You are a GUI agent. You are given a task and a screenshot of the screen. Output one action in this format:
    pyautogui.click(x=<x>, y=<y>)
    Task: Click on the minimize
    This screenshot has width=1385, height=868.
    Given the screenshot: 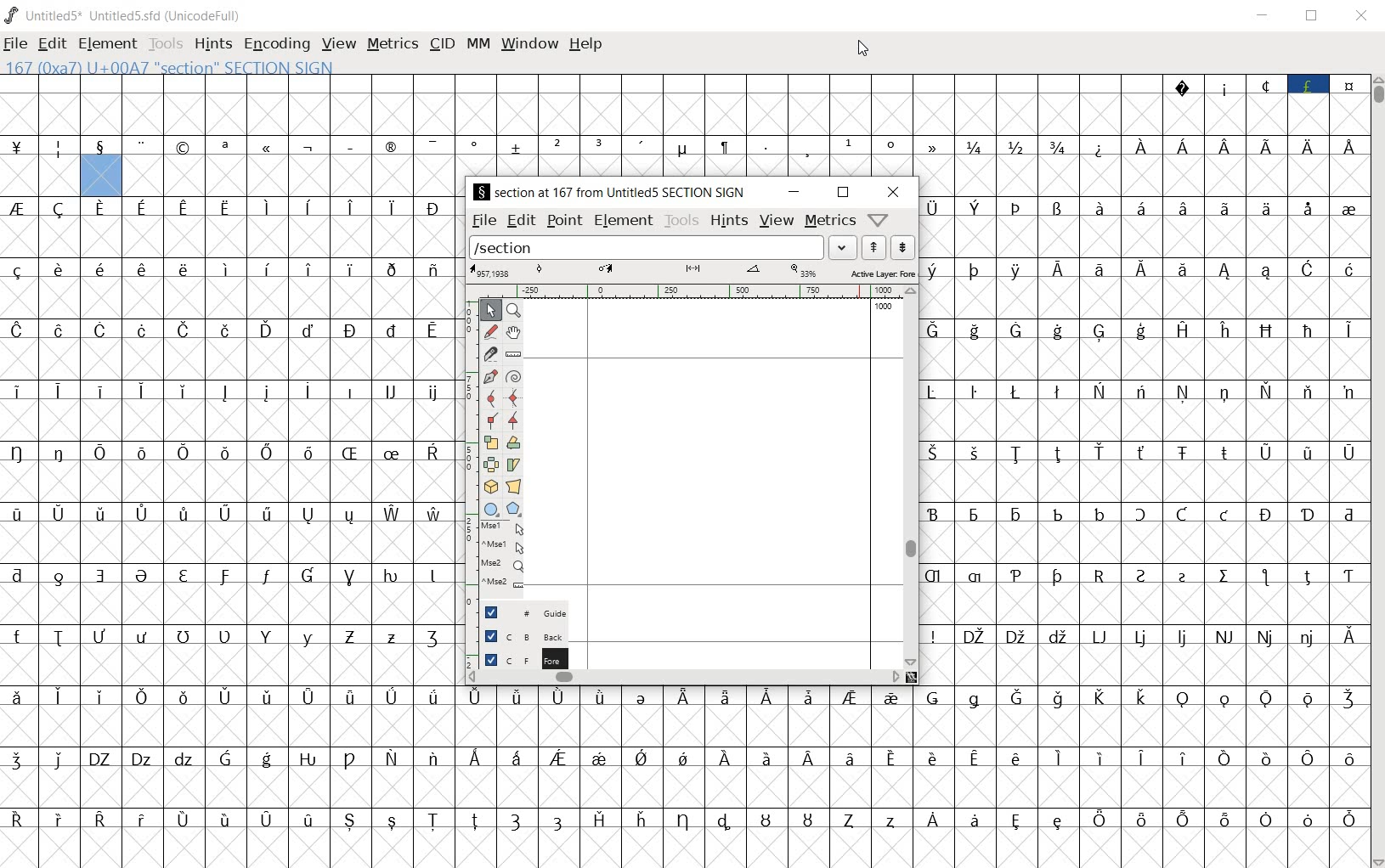 What is the action you would take?
    pyautogui.click(x=793, y=193)
    